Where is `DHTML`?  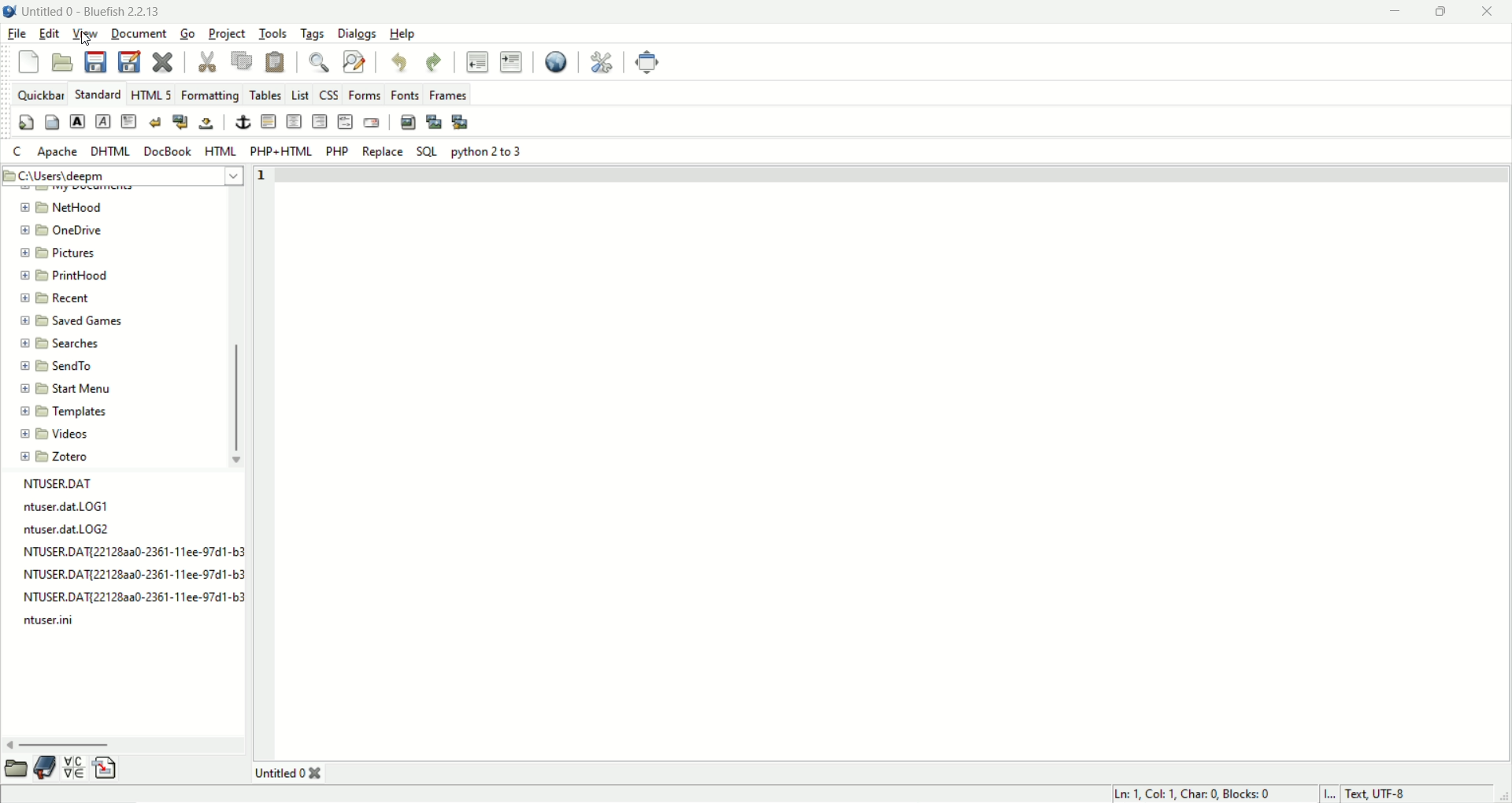 DHTML is located at coordinates (111, 152).